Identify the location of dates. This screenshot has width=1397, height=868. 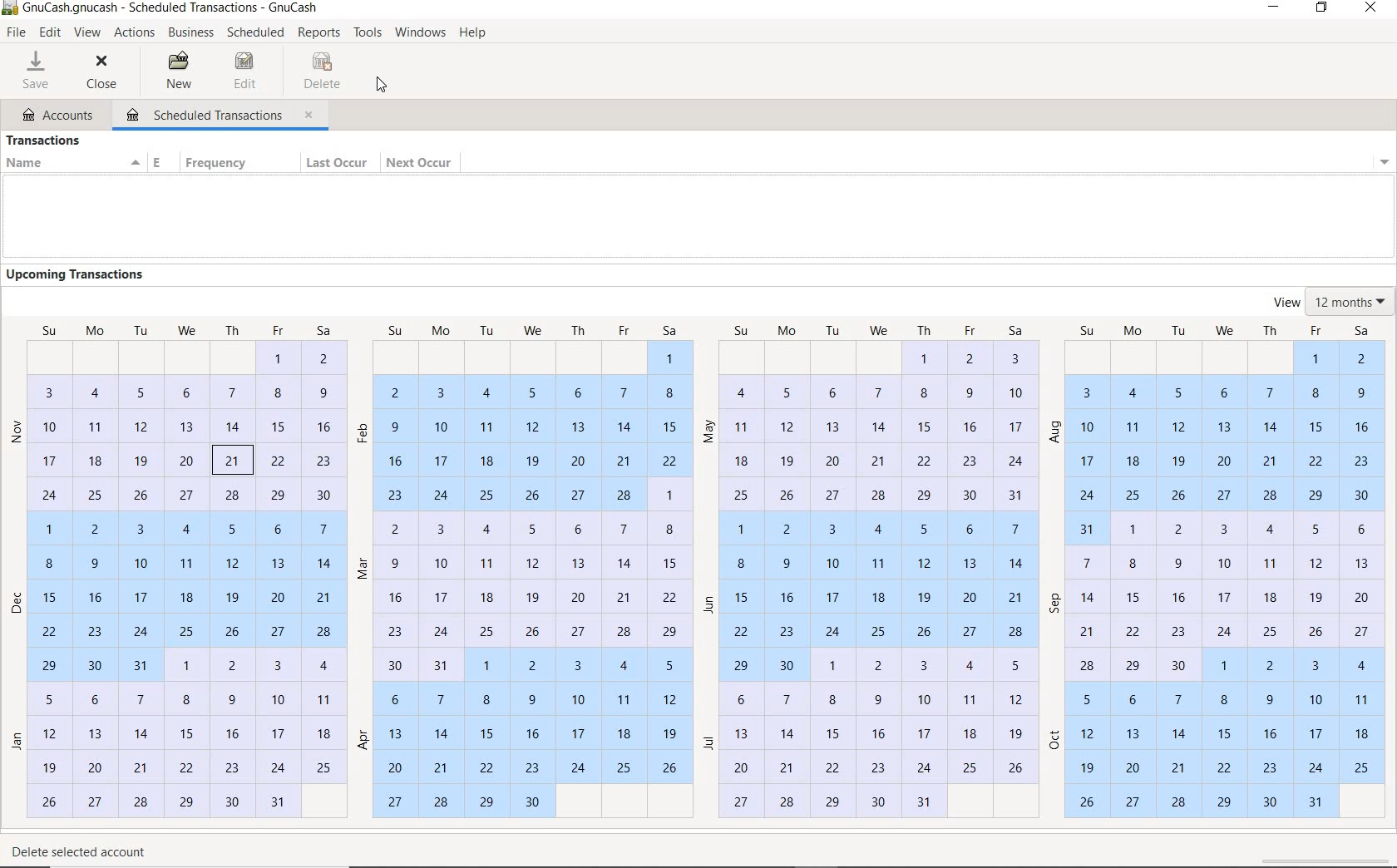
(879, 582).